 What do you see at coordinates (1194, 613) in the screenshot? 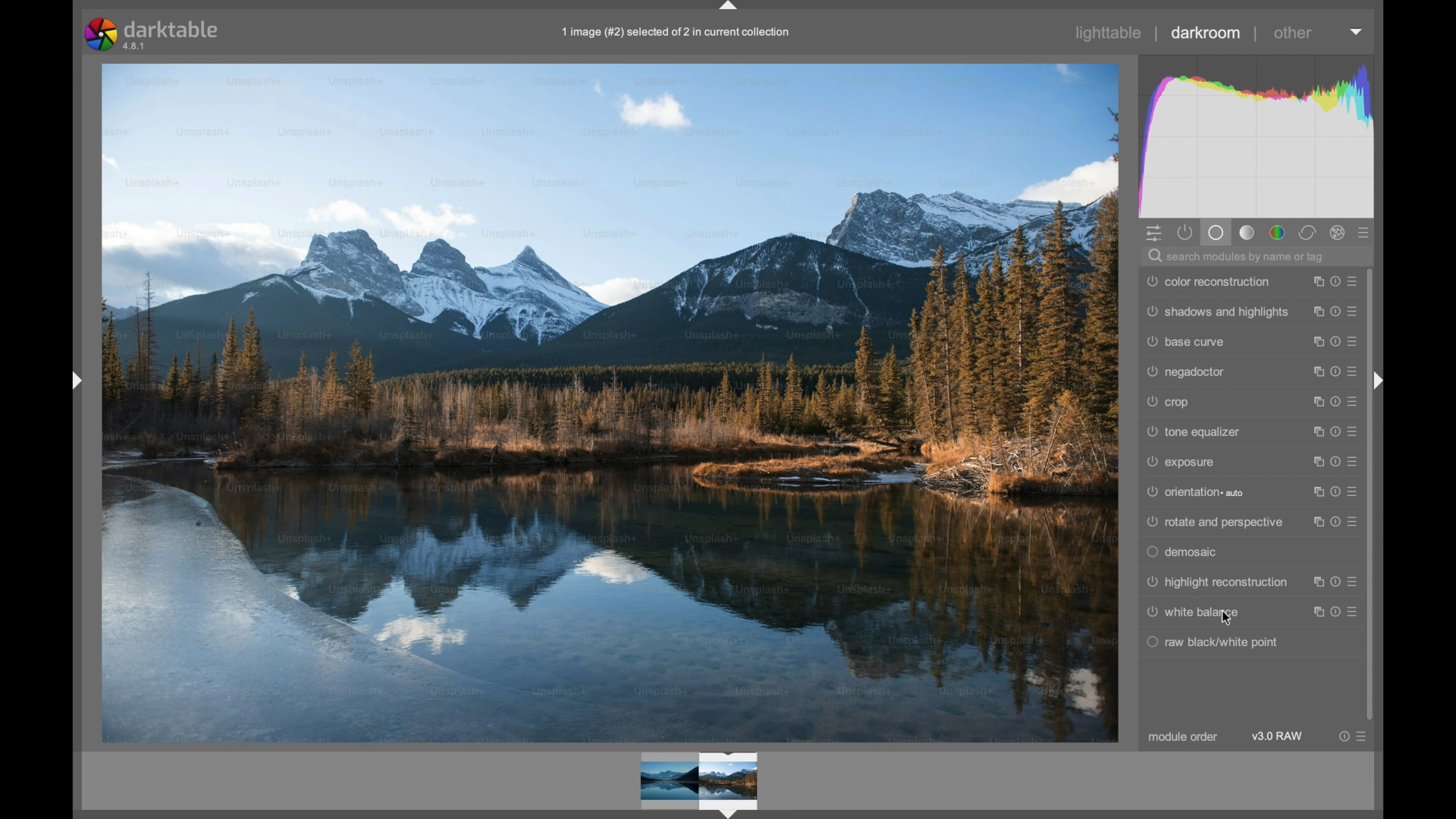
I see `white balance` at bounding box center [1194, 613].